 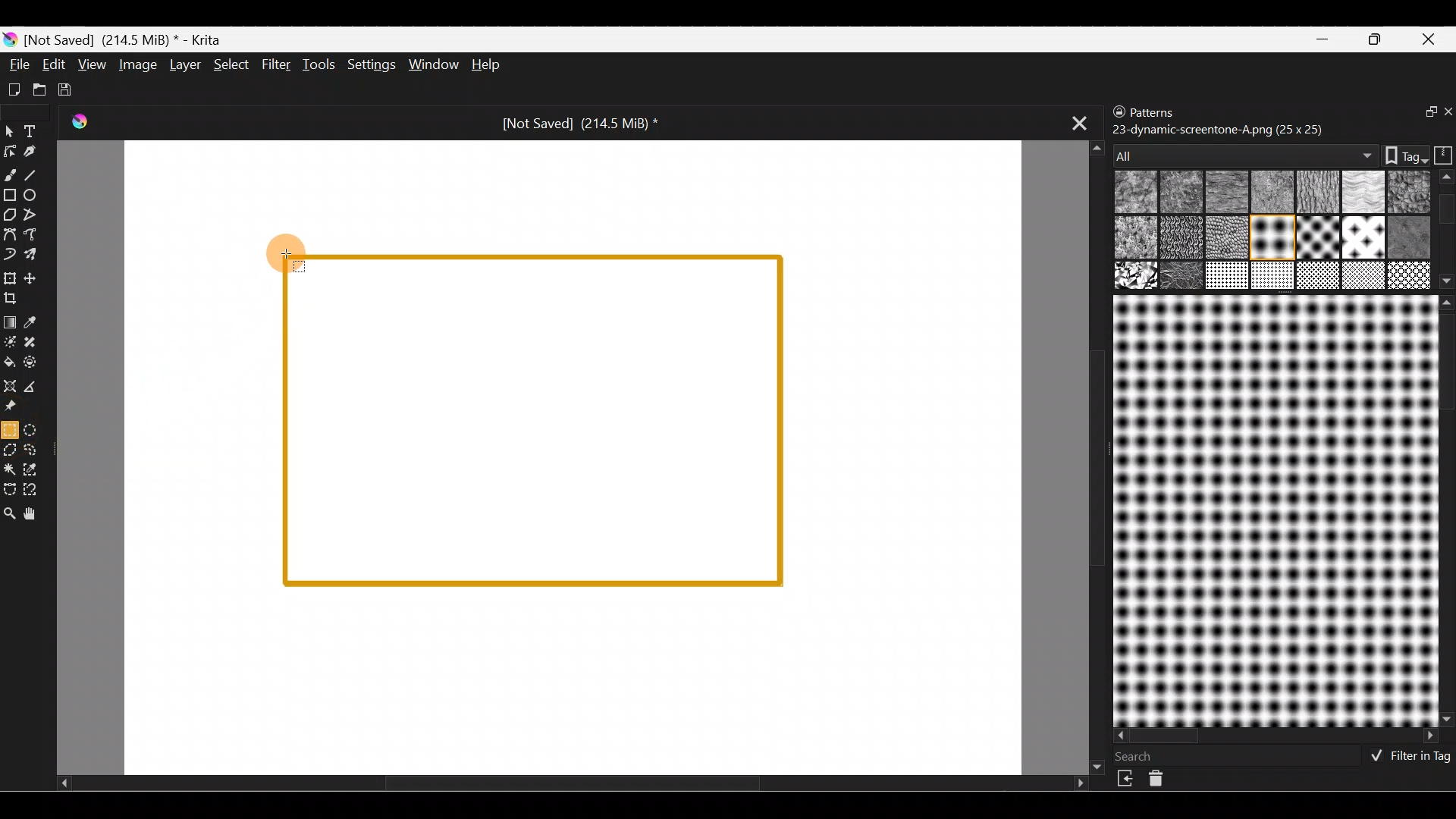 What do you see at coordinates (10, 362) in the screenshot?
I see `Fill a contiguous area of colour with colour` at bounding box center [10, 362].